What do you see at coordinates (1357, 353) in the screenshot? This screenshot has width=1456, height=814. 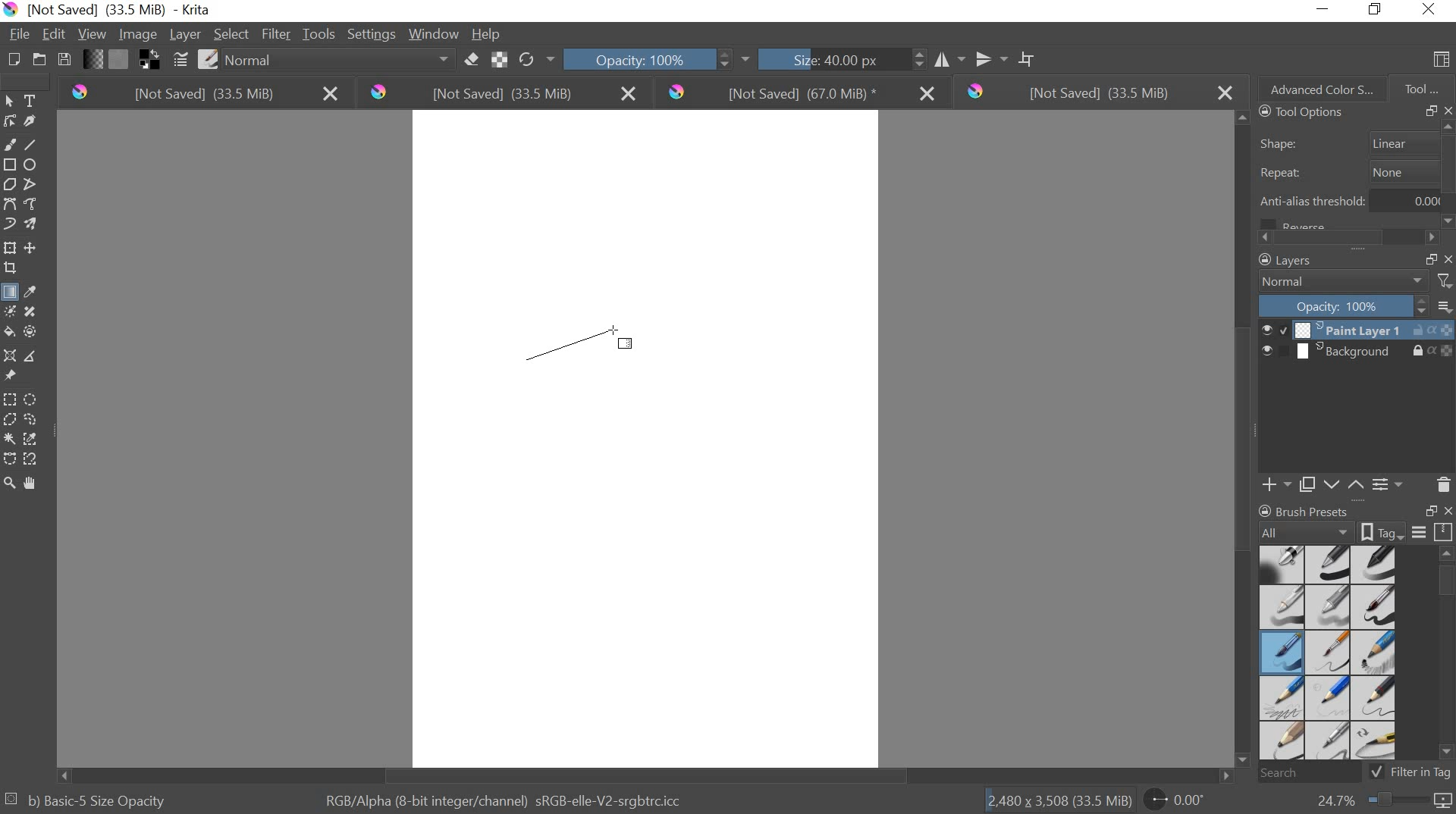 I see `BACKGROUND` at bounding box center [1357, 353].